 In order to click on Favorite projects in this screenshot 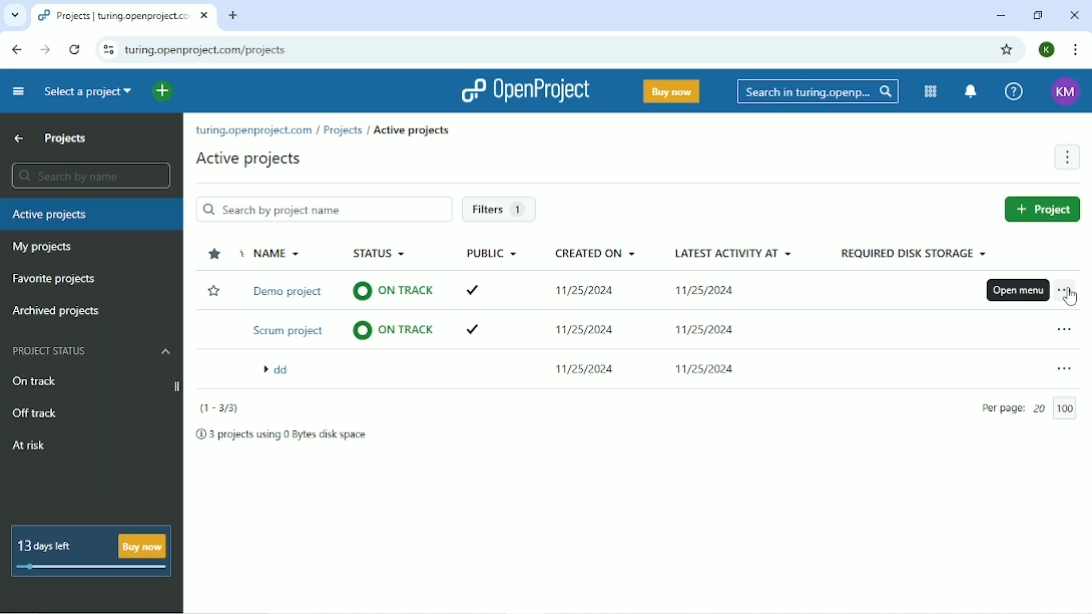, I will do `click(61, 279)`.